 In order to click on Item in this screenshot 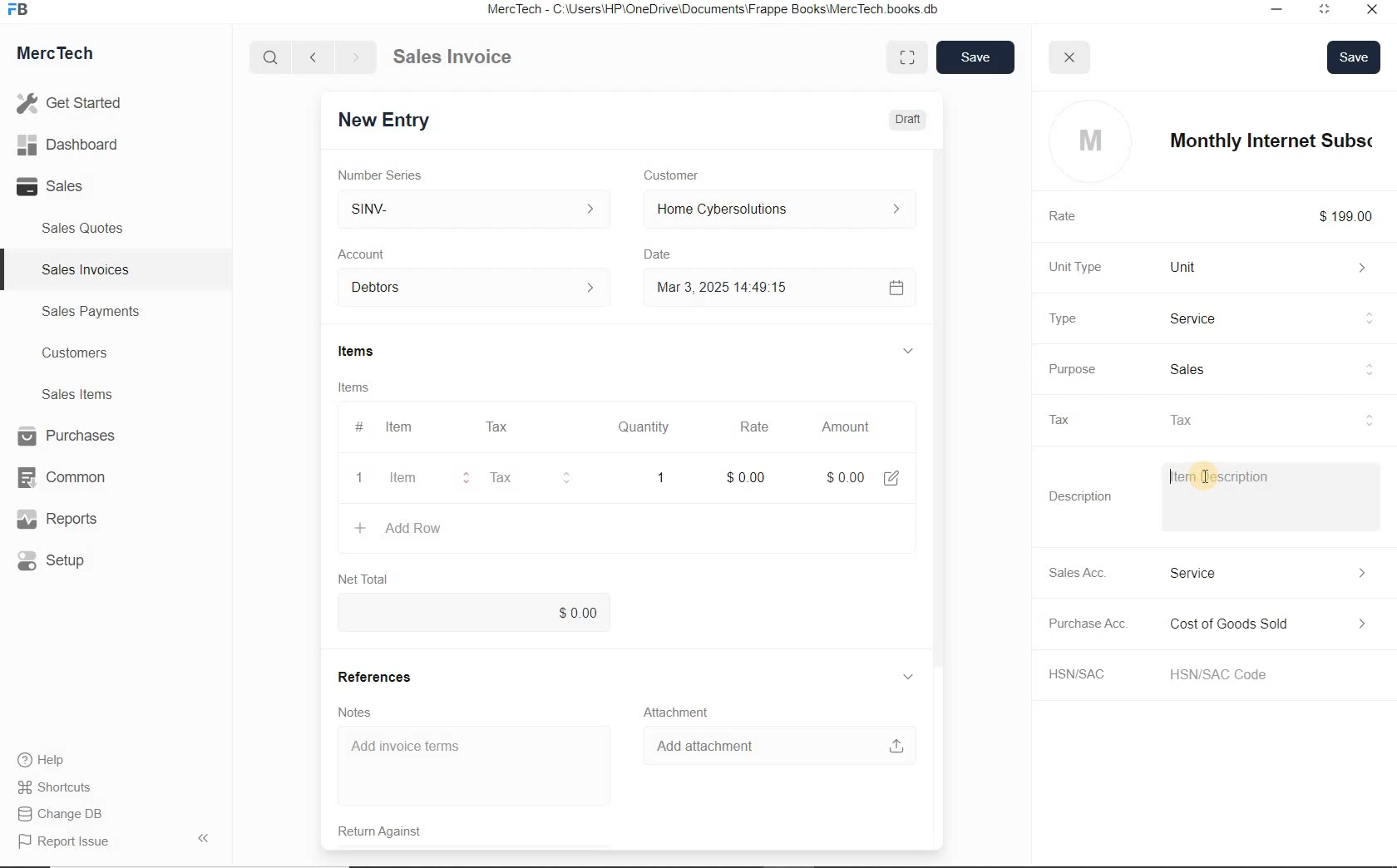, I will do `click(401, 427)`.